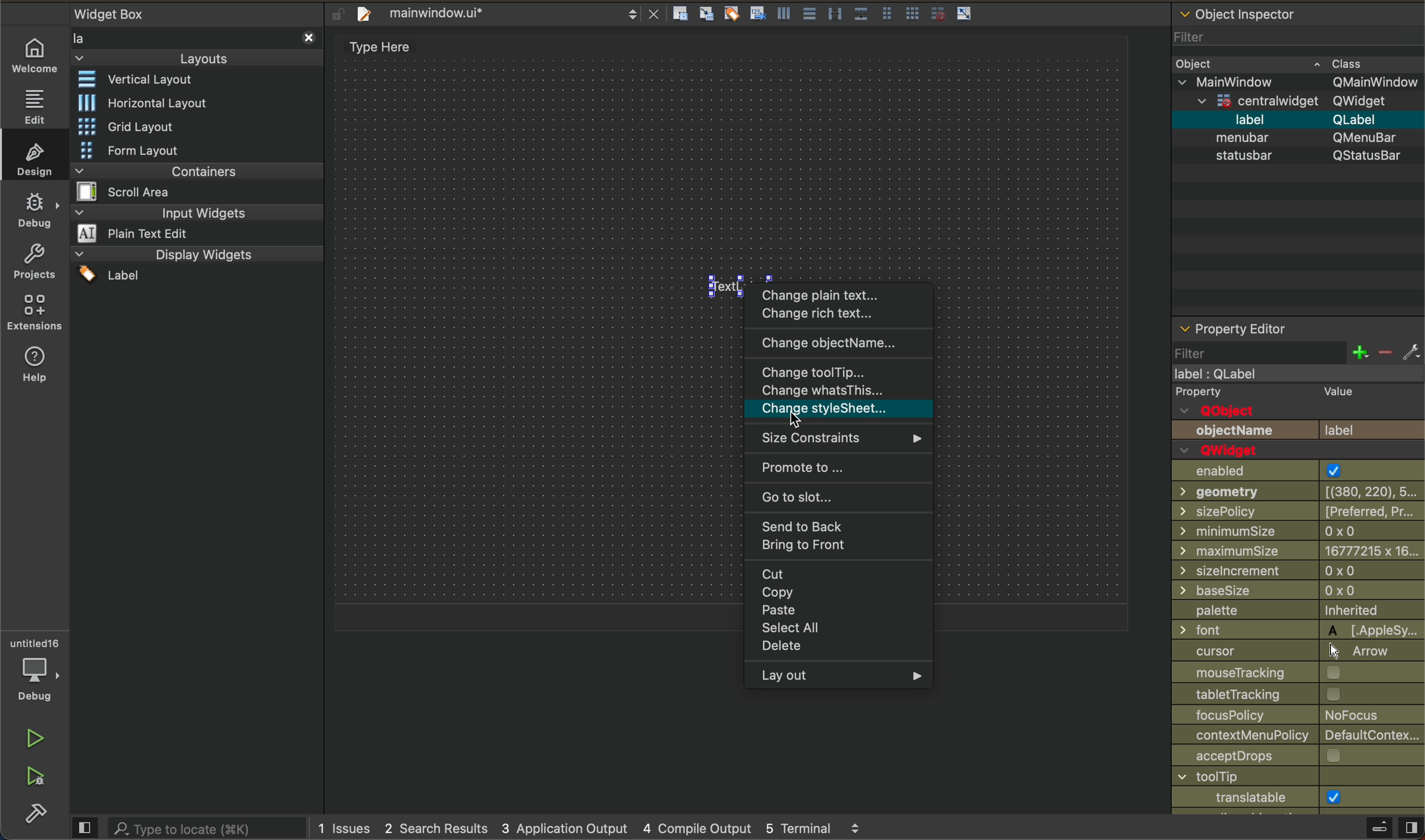  I want to click on qwidget, so click(1306, 101).